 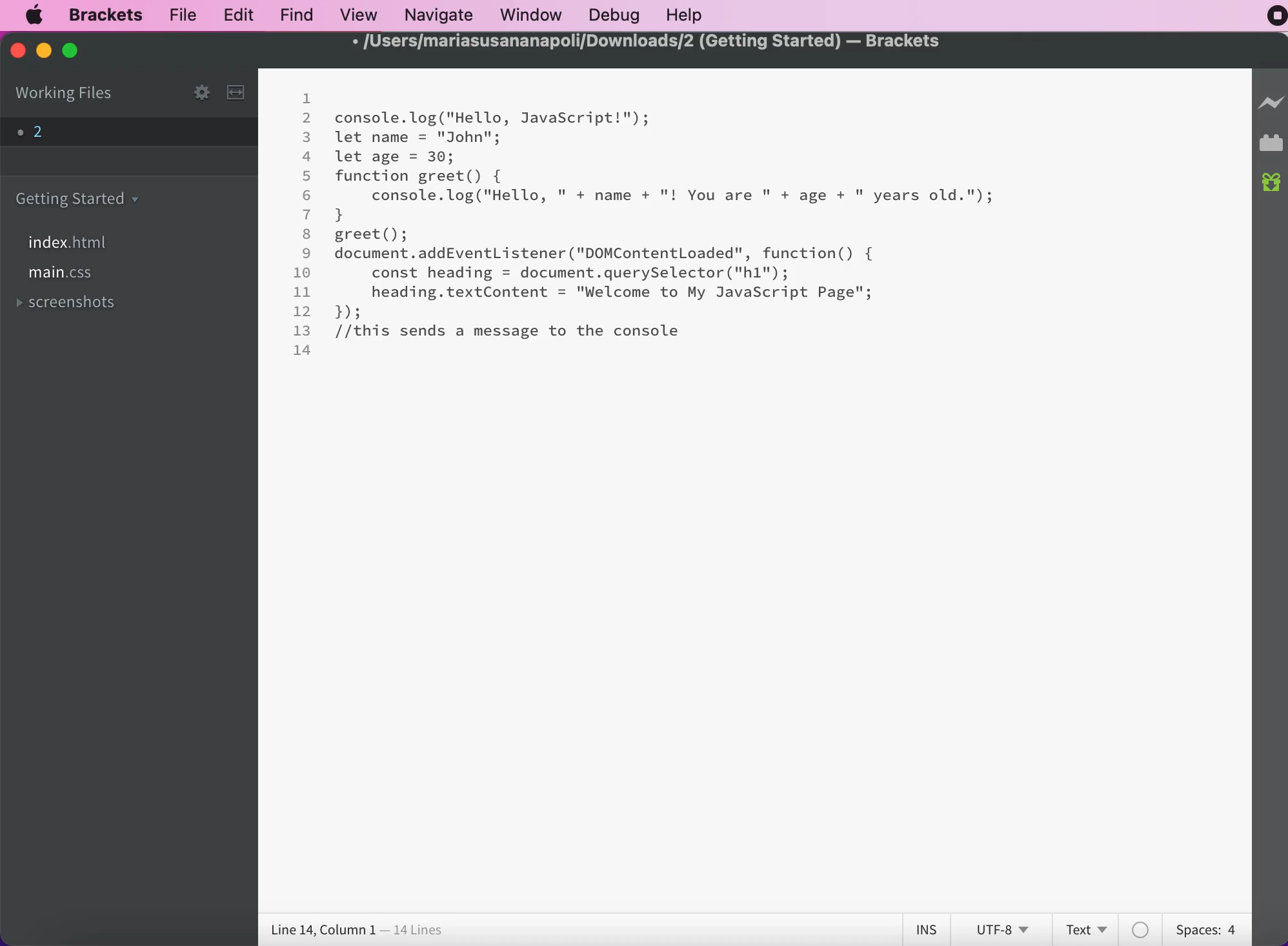 What do you see at coordinates (1204, 930) in the screenshot?
I see `spaces: 4` at bounding box center [1204, 930].